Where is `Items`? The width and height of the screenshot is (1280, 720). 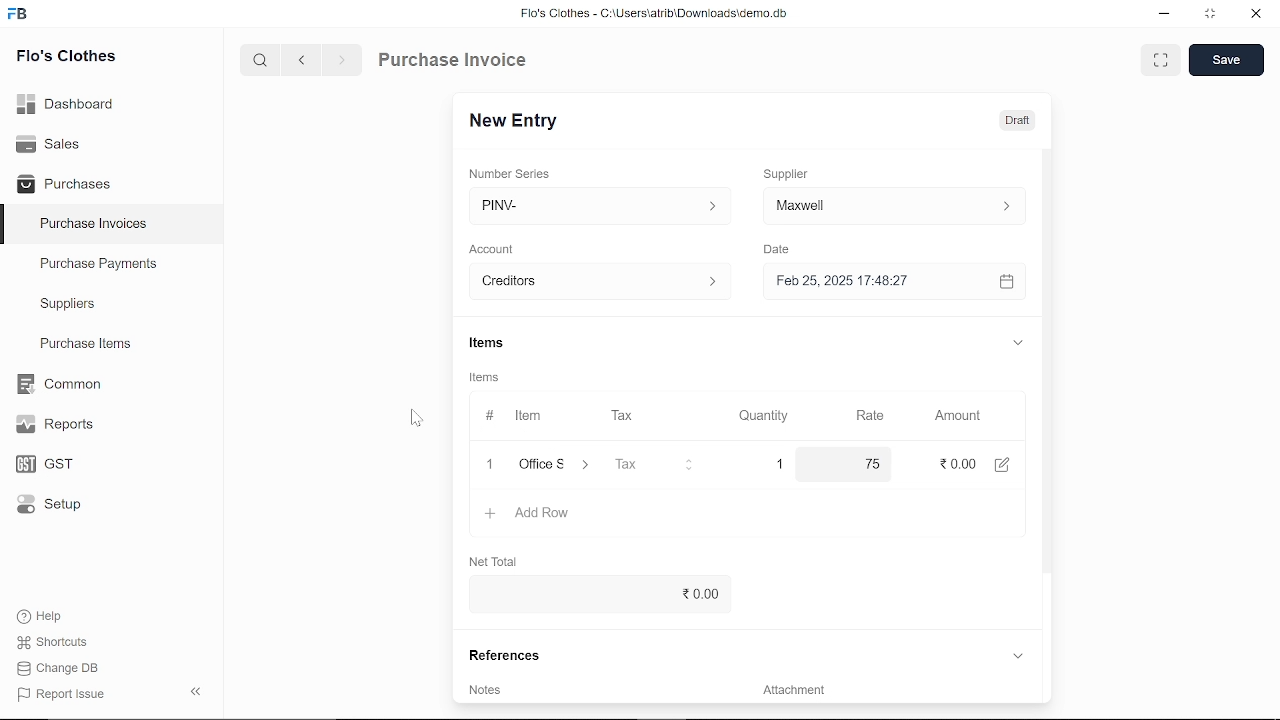 Items is located at coordinates (502, 343).